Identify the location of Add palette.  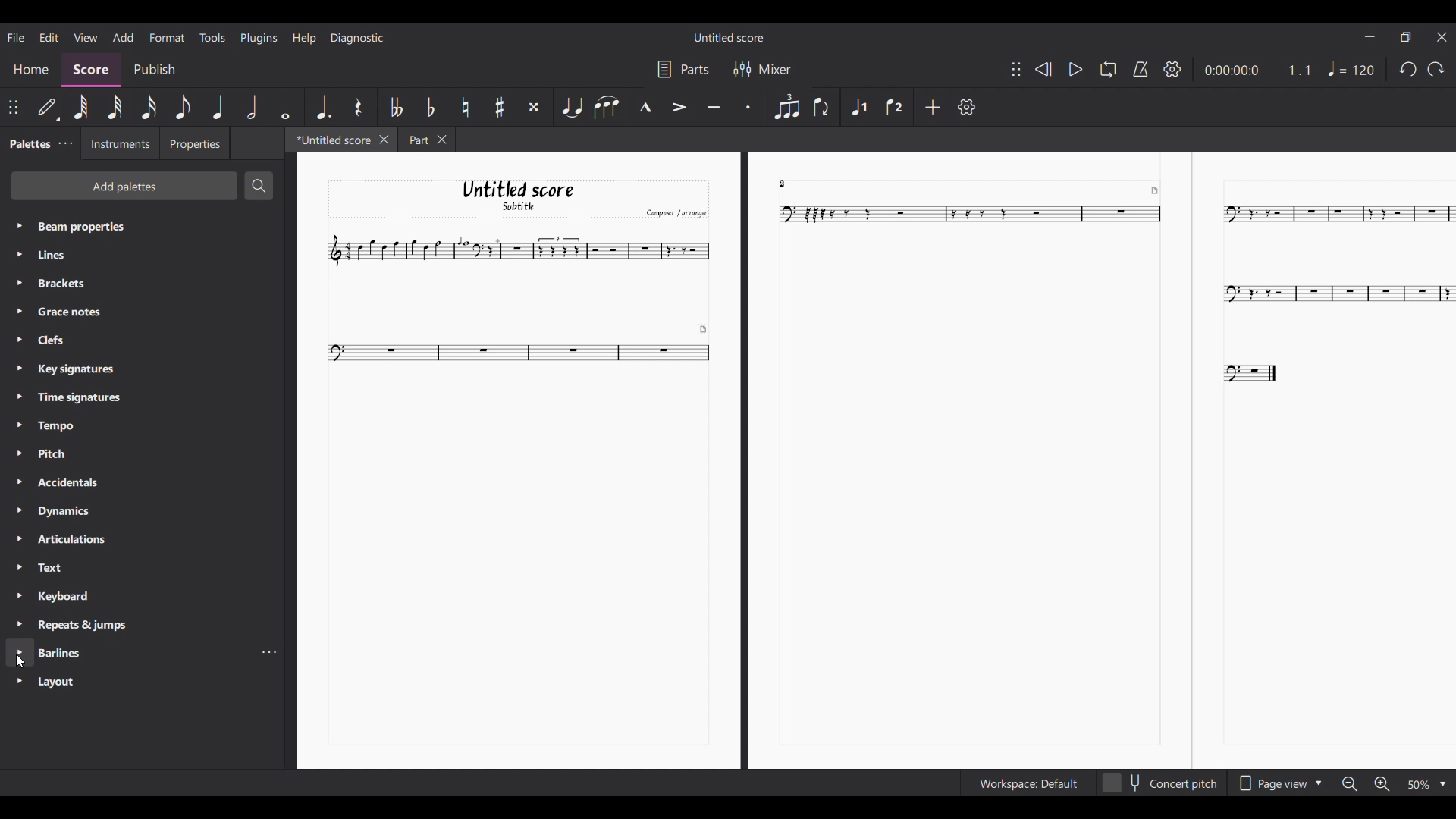
(126, 185).